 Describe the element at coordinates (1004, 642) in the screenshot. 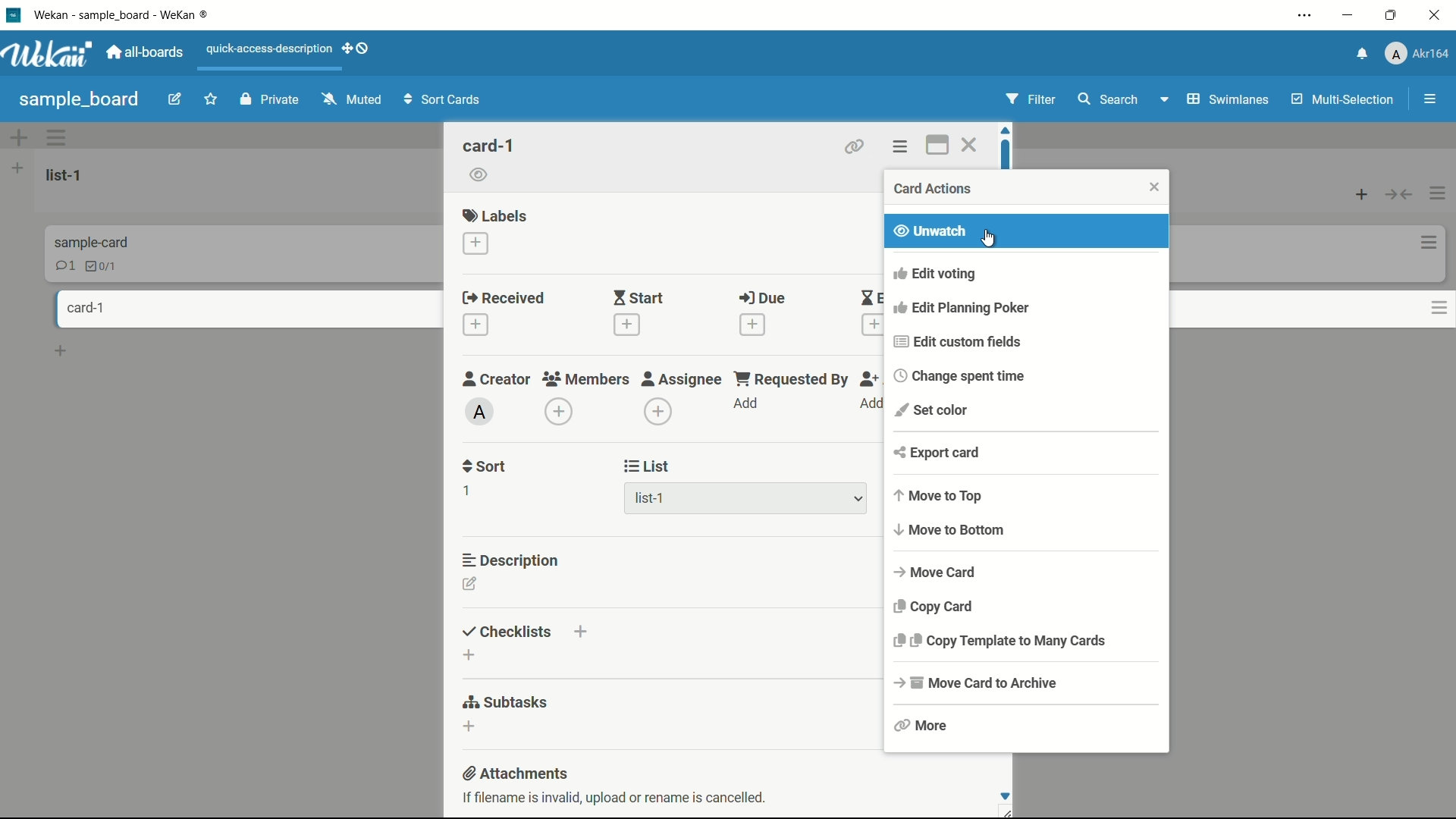

I see `copy template to many cards` at that location.